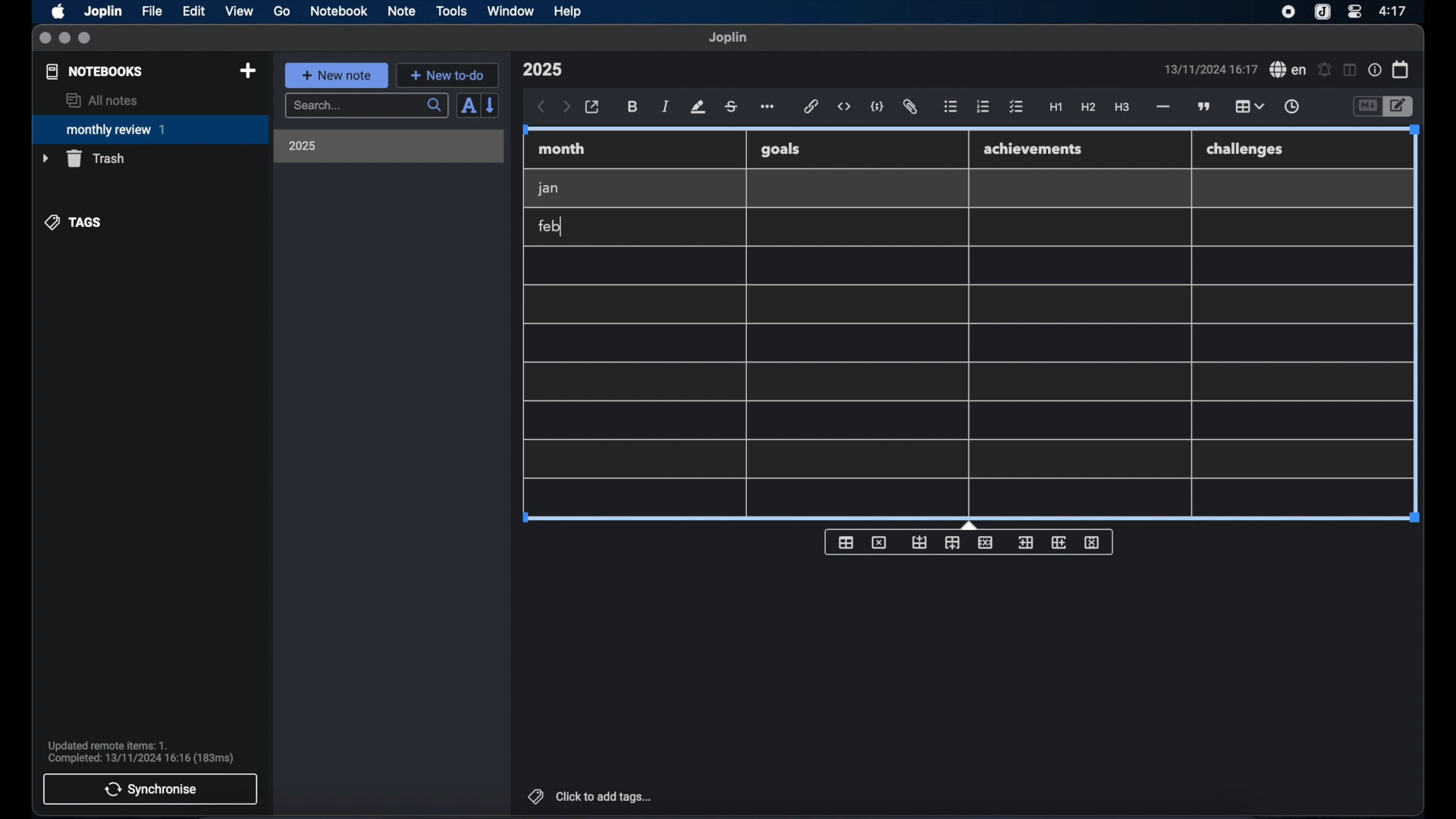 This screenshot has height=819, width=1456. What do you see at coordinates (1247, 106) in the screenshot?
I see `table highlighted` at bounding box center [1247, 106].